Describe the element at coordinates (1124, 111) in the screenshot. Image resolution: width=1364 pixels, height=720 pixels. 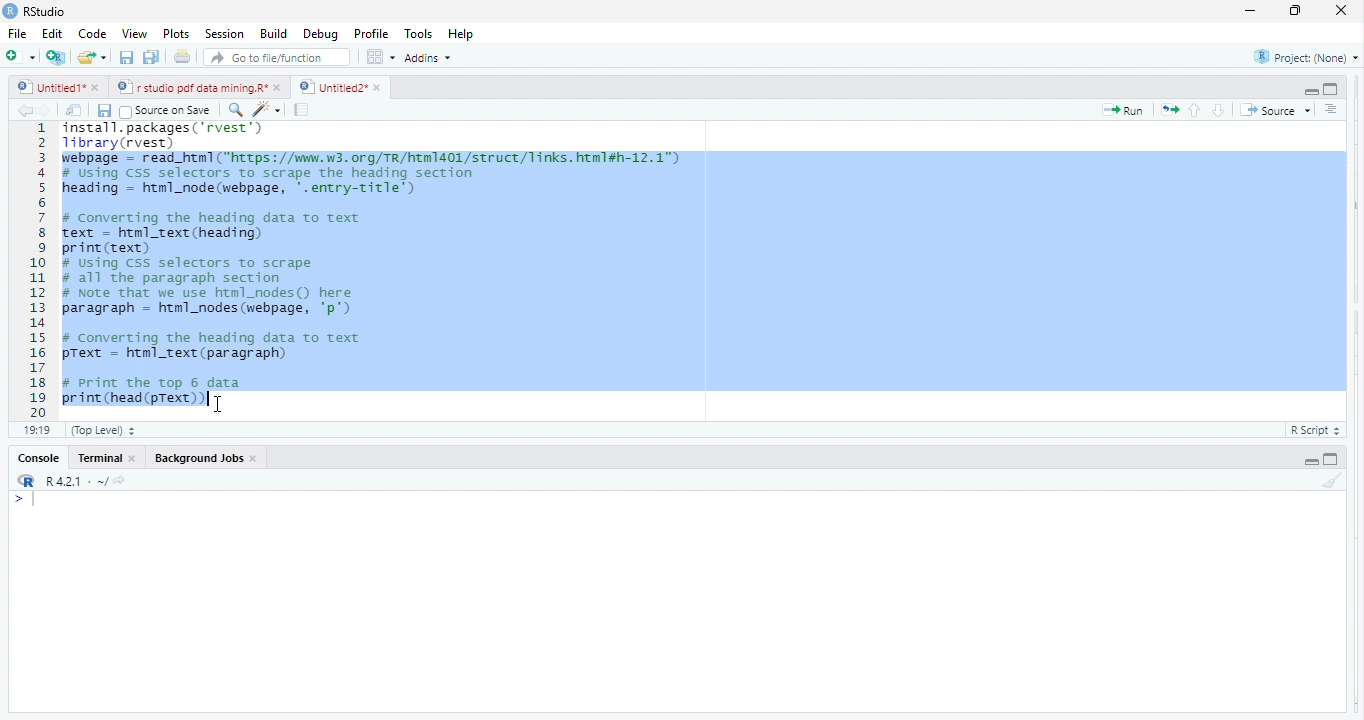
I see `run` at that location.